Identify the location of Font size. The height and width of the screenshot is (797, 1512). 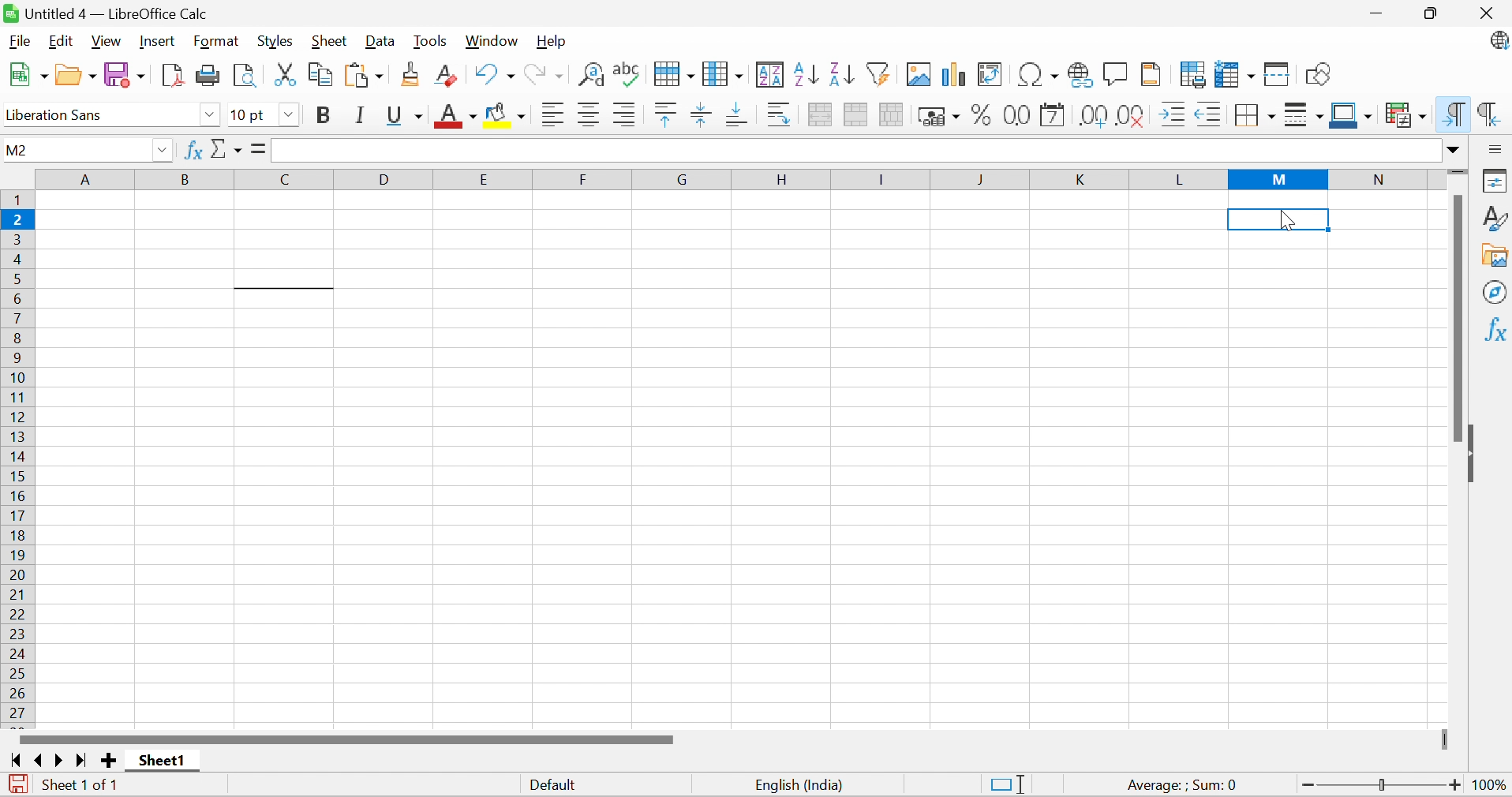
(249, 116).